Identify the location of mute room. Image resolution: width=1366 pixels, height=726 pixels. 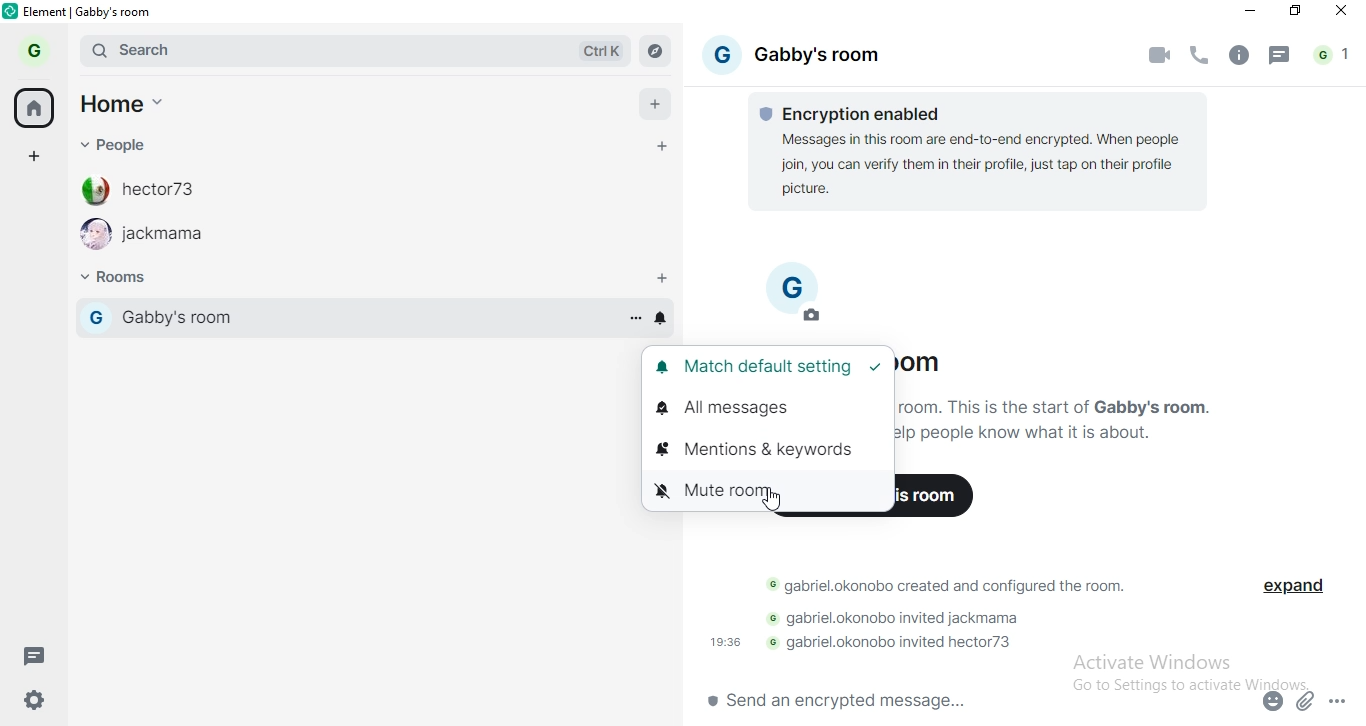
(758, 494).